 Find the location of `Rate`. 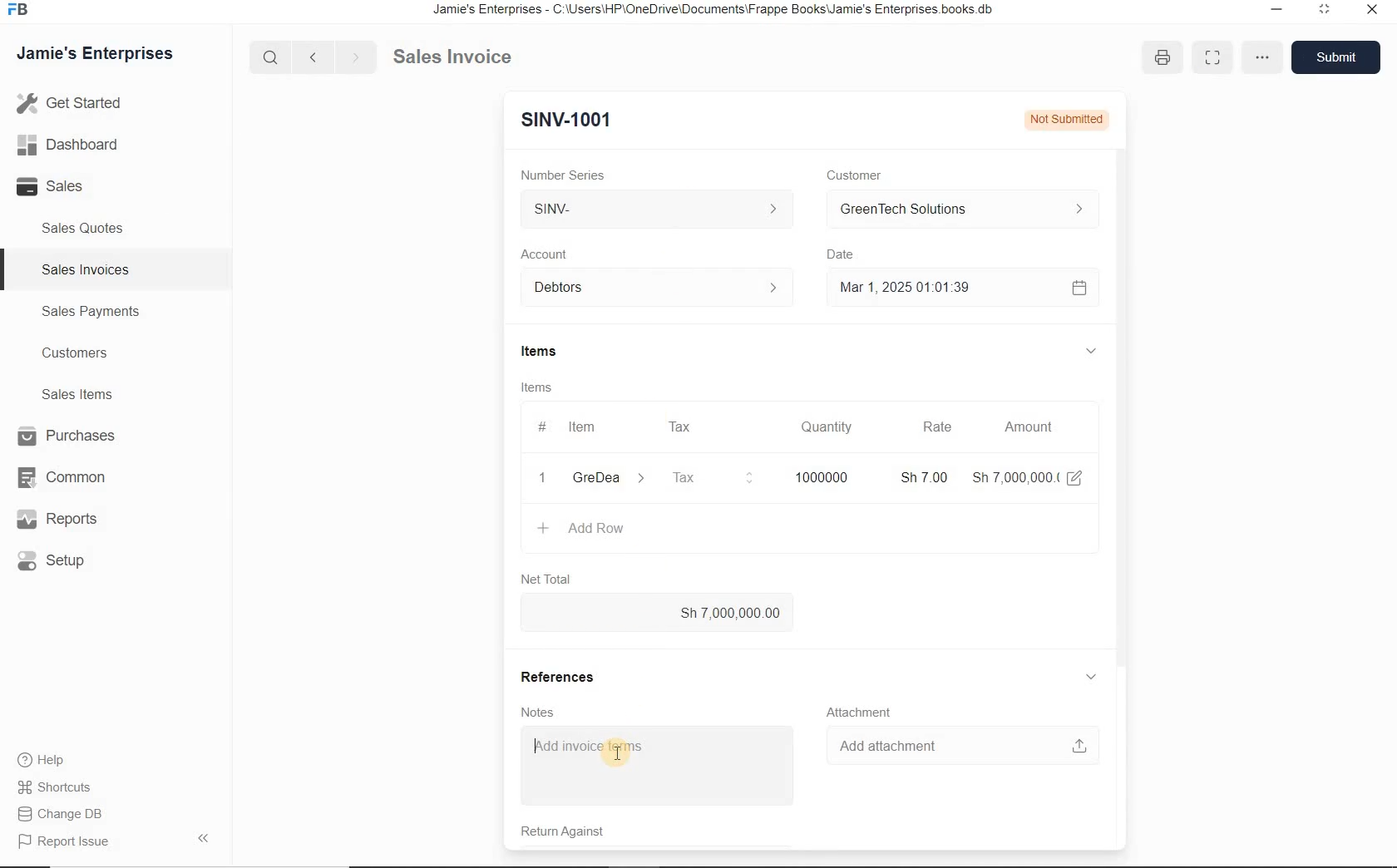

Rate is located at coordinates (937, 428).